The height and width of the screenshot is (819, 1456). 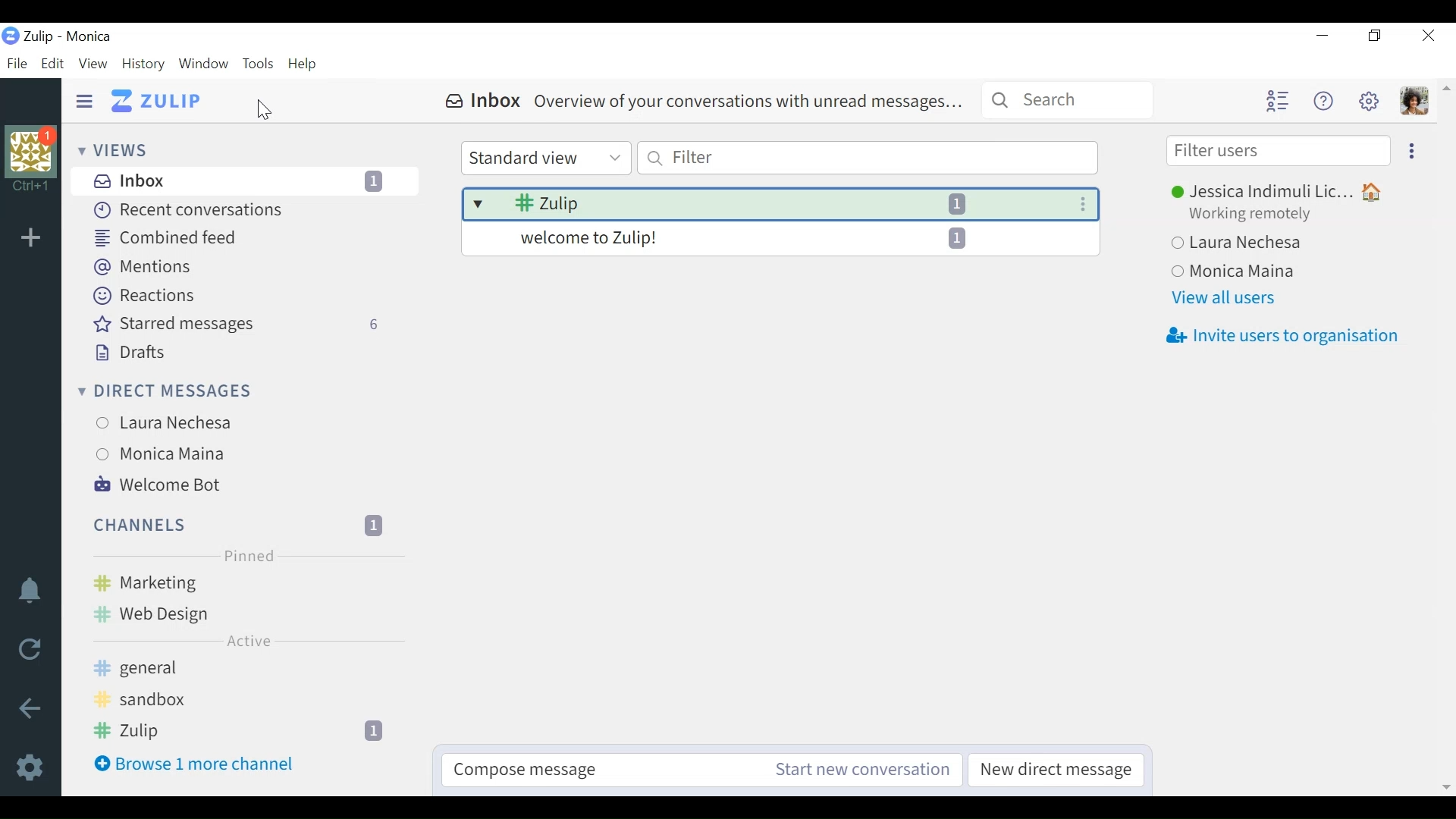 I want to click on File, so click(x=20, y=64).